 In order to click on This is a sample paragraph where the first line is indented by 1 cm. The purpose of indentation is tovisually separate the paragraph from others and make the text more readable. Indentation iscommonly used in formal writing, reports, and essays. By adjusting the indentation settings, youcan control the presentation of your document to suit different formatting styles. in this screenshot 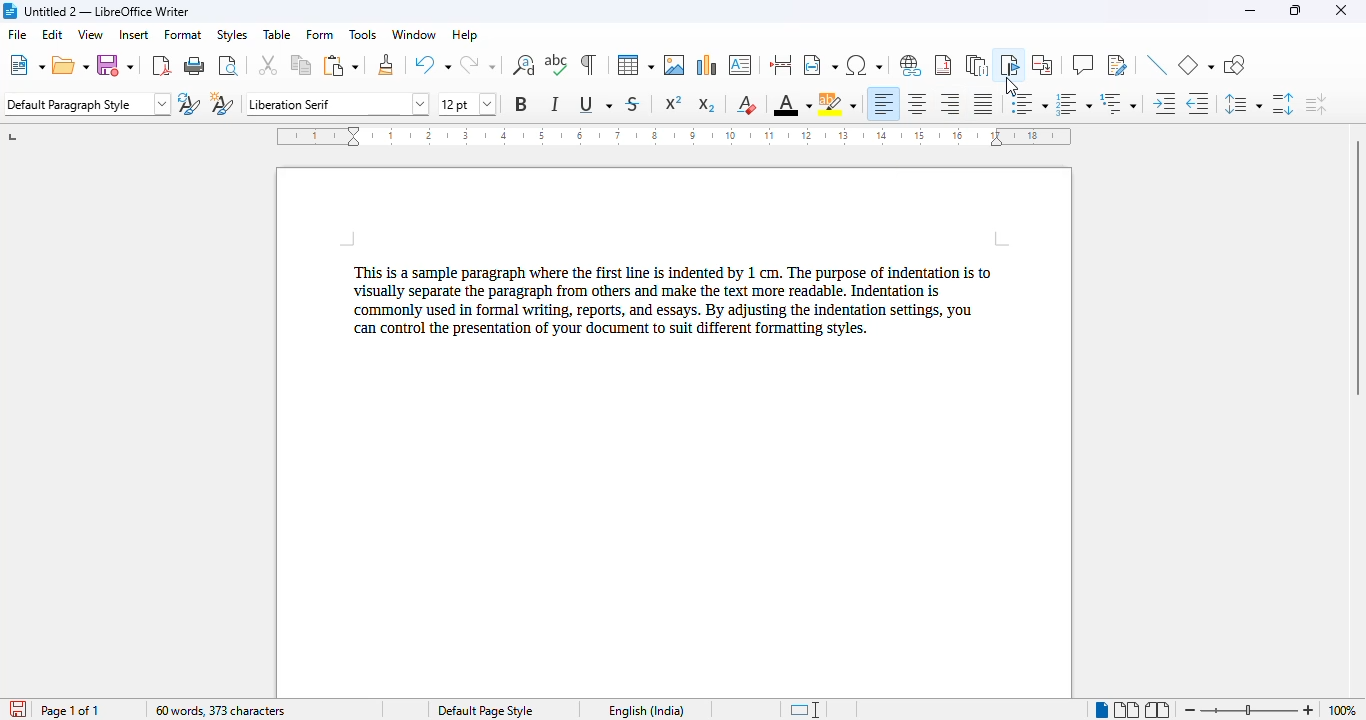, I will do `click(674, 300)`.